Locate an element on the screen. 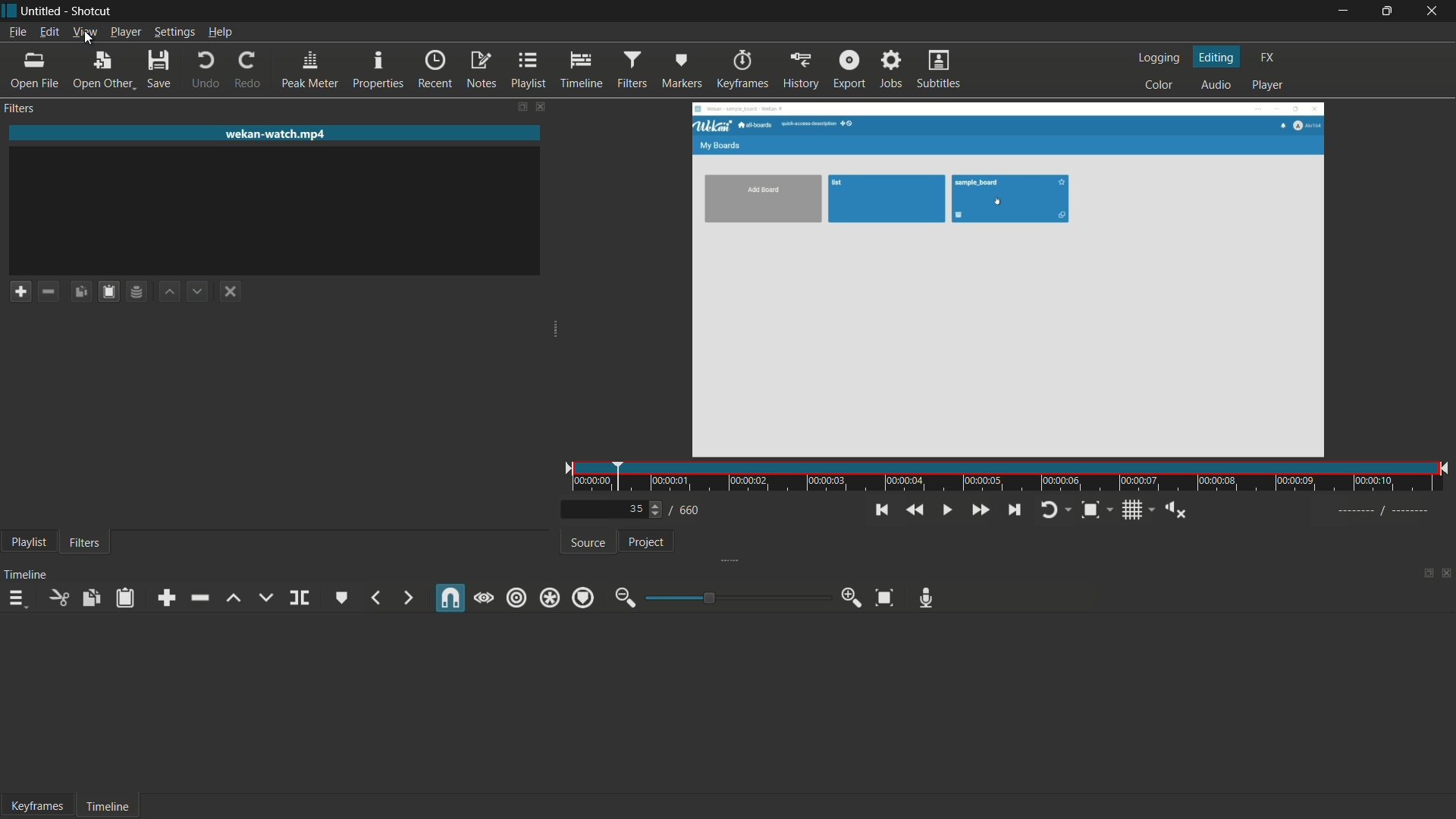 This screenshot has height=819, width=1456. playlist is located at coordinates (526, 71).